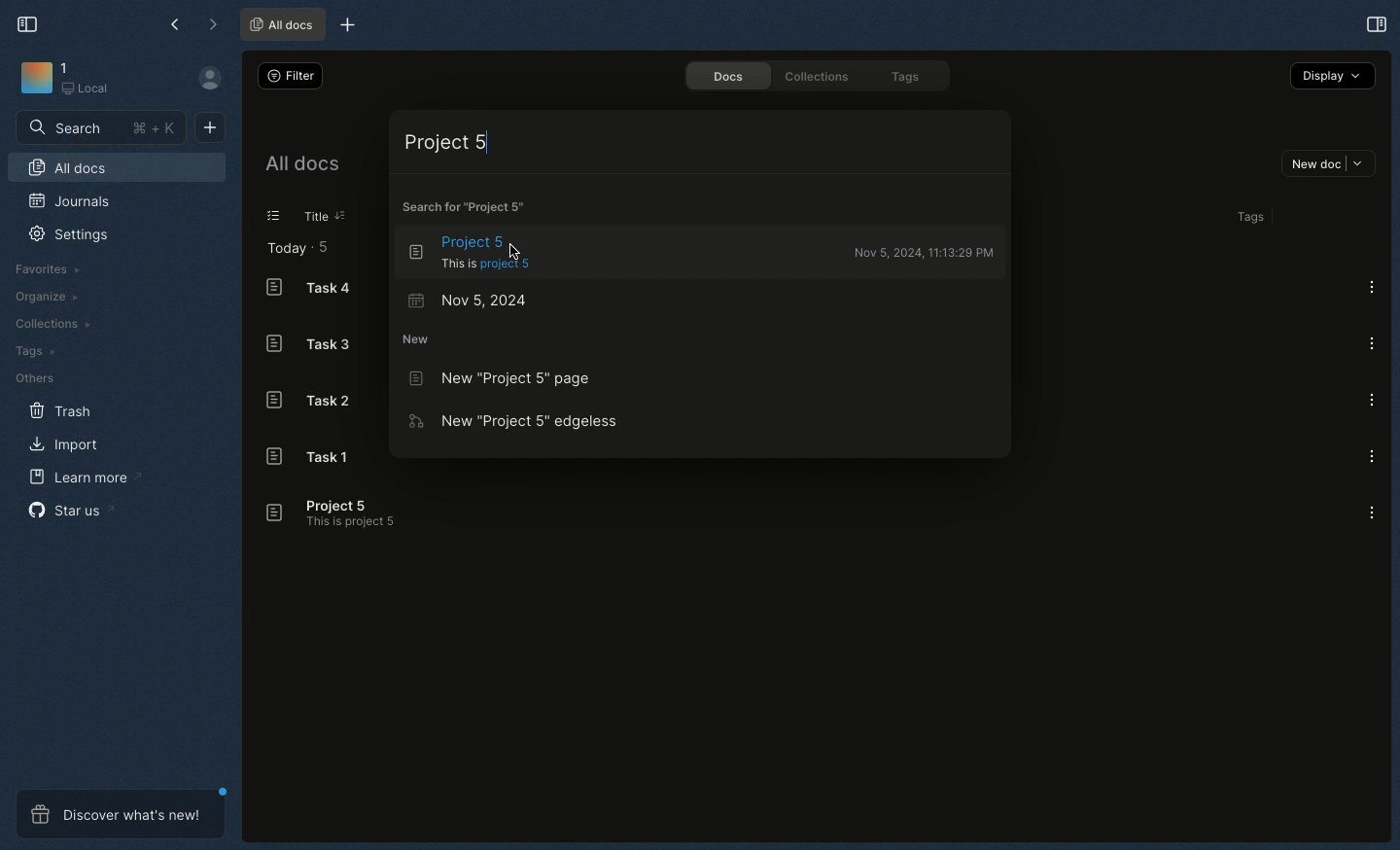  Describe the element at coordinates (904, 75) in the screenshot. I see `Tags` at that location.